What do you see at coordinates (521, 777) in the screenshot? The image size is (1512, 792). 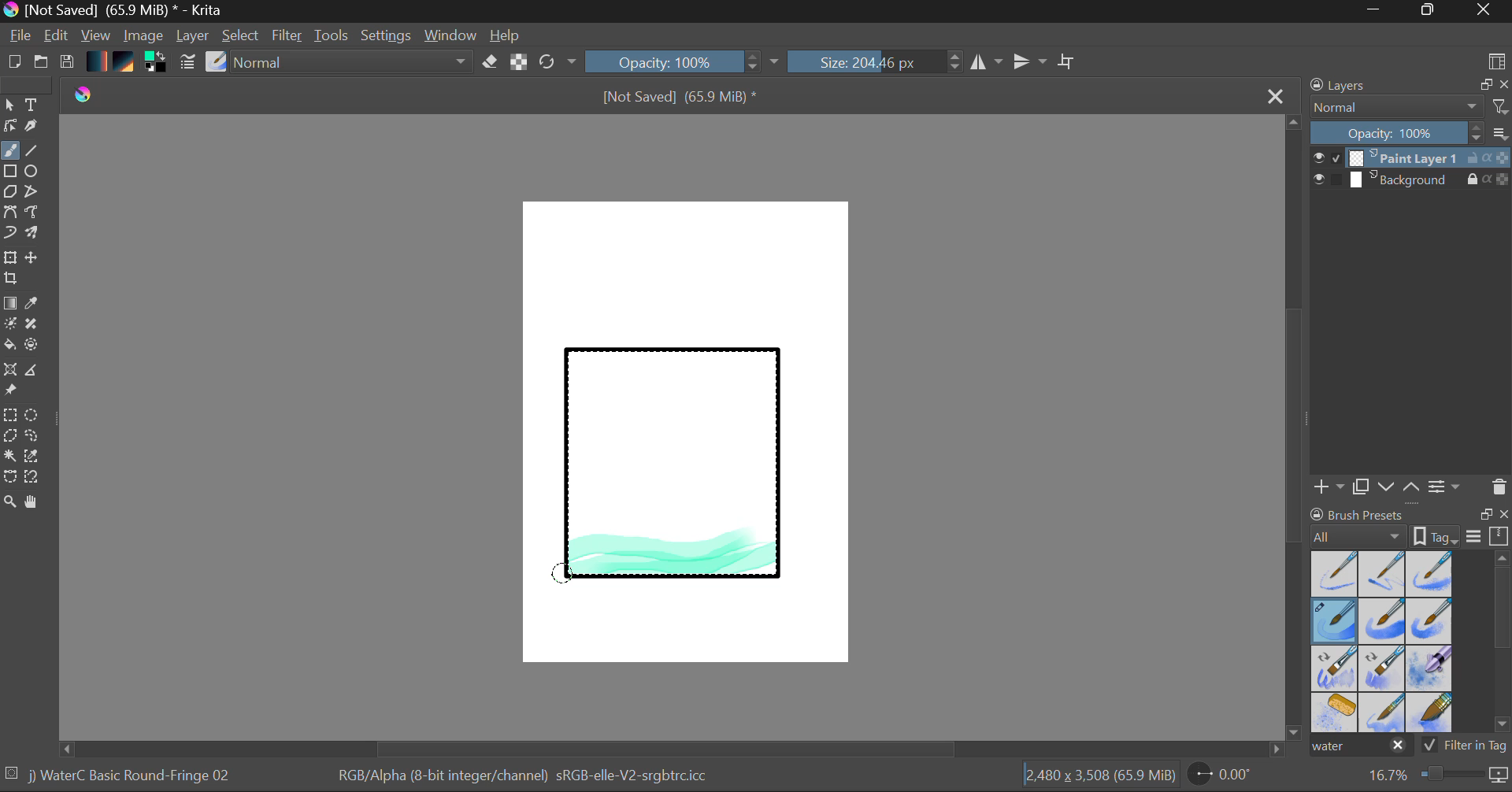 I see `Color Information` at bounding box center [521, 777].